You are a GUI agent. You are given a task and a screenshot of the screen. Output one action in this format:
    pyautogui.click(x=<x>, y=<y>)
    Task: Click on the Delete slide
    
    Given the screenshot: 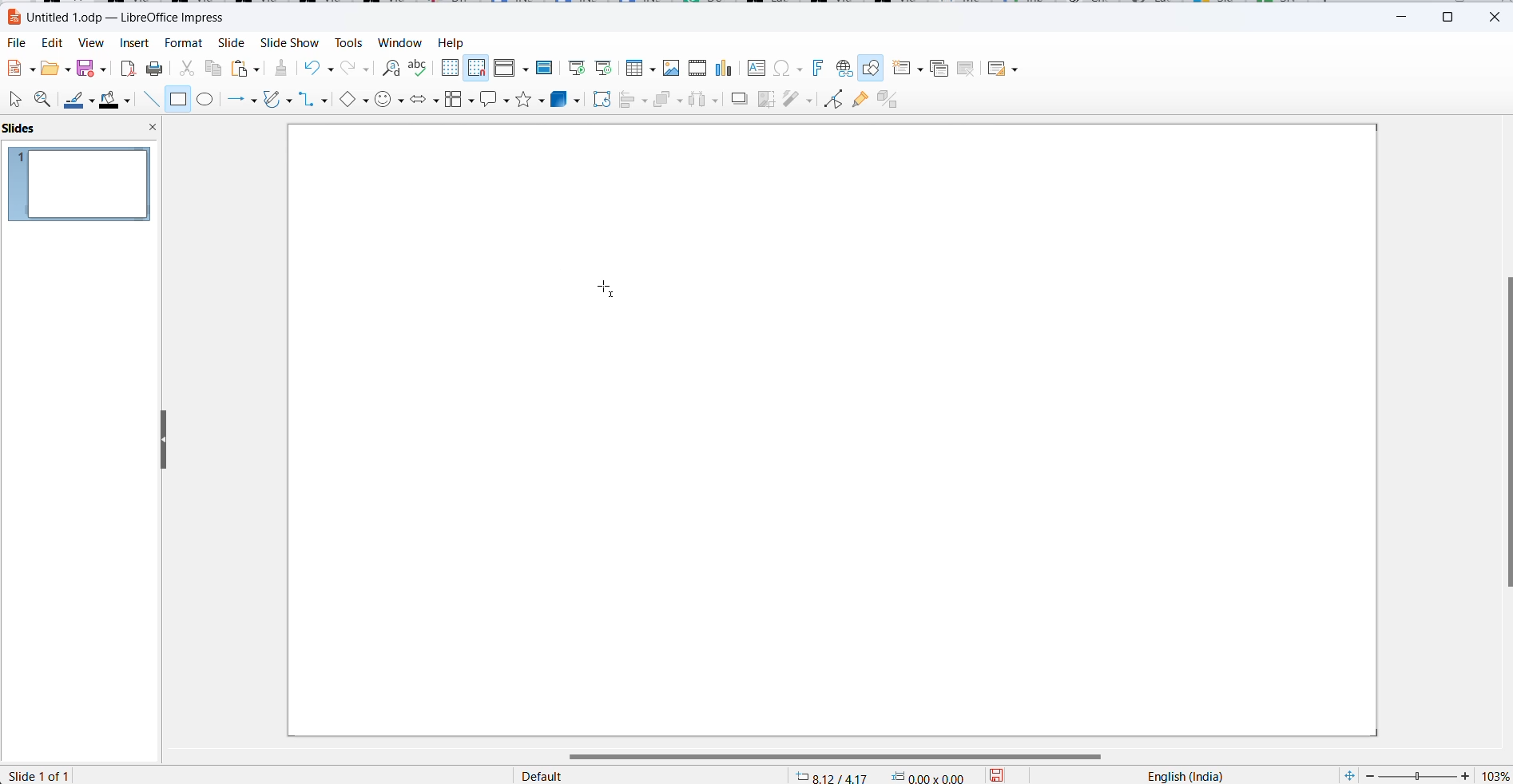 What is the action you would take?
    pyautogui.click(x=967, y=69)
    